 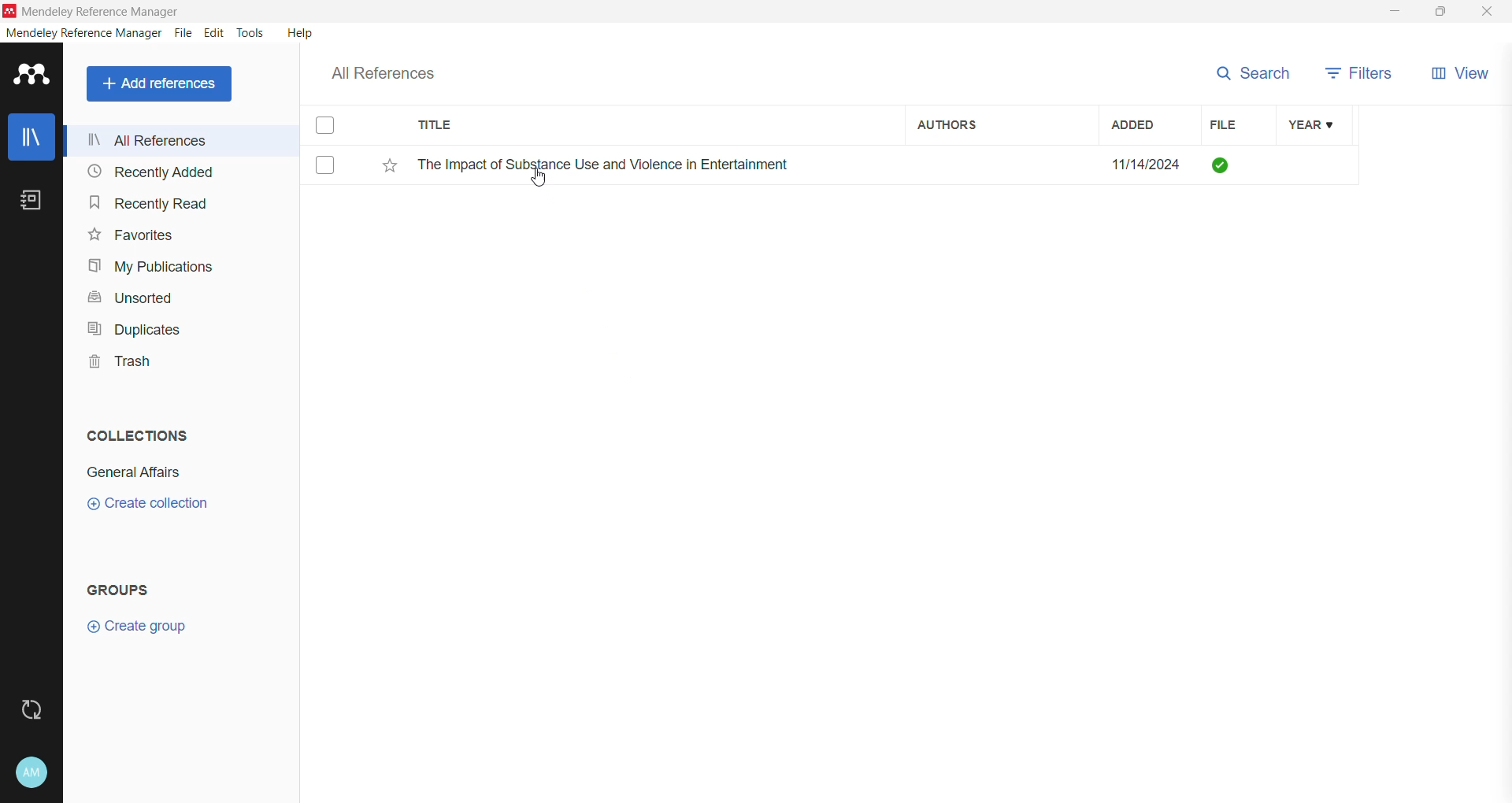 I want to click on Close, so click(x=1488, y=13).